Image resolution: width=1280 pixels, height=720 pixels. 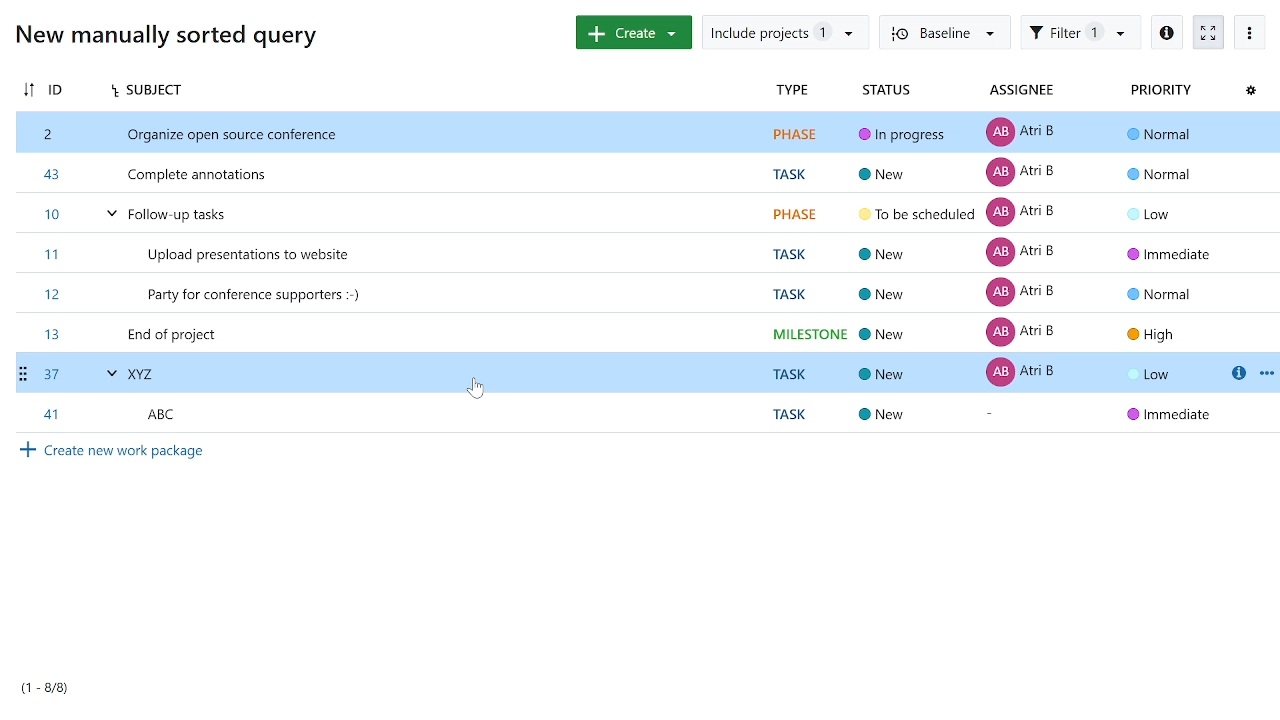 What do you see at coordinates (645, 133) in the screenshot?
I see `Task name "Organize open source conference"` at bounding box center [645, 133].